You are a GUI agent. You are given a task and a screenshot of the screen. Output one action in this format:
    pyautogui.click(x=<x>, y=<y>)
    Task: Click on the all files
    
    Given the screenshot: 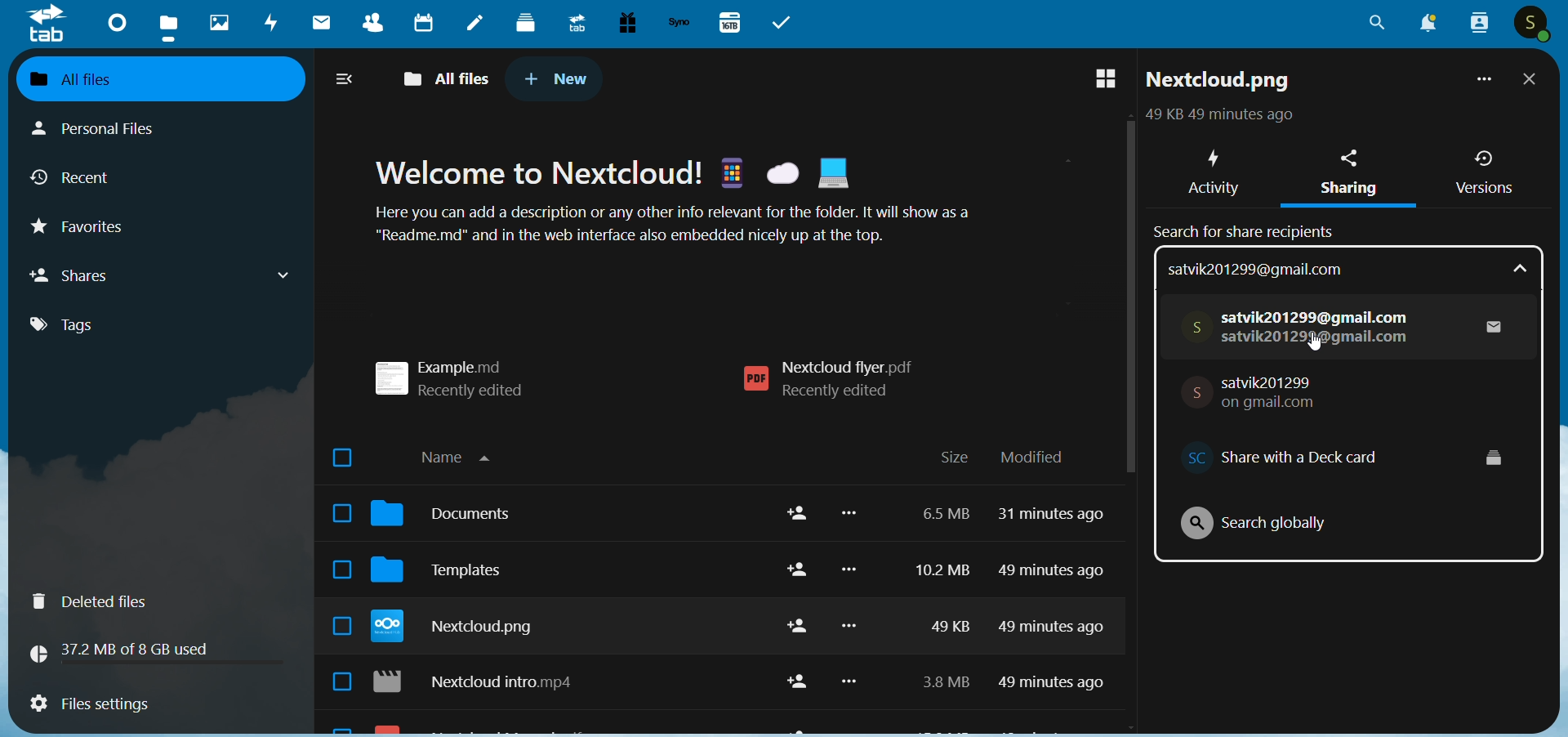 What is the action you would take?
    pyautogui.click(x=146, y=78)
    